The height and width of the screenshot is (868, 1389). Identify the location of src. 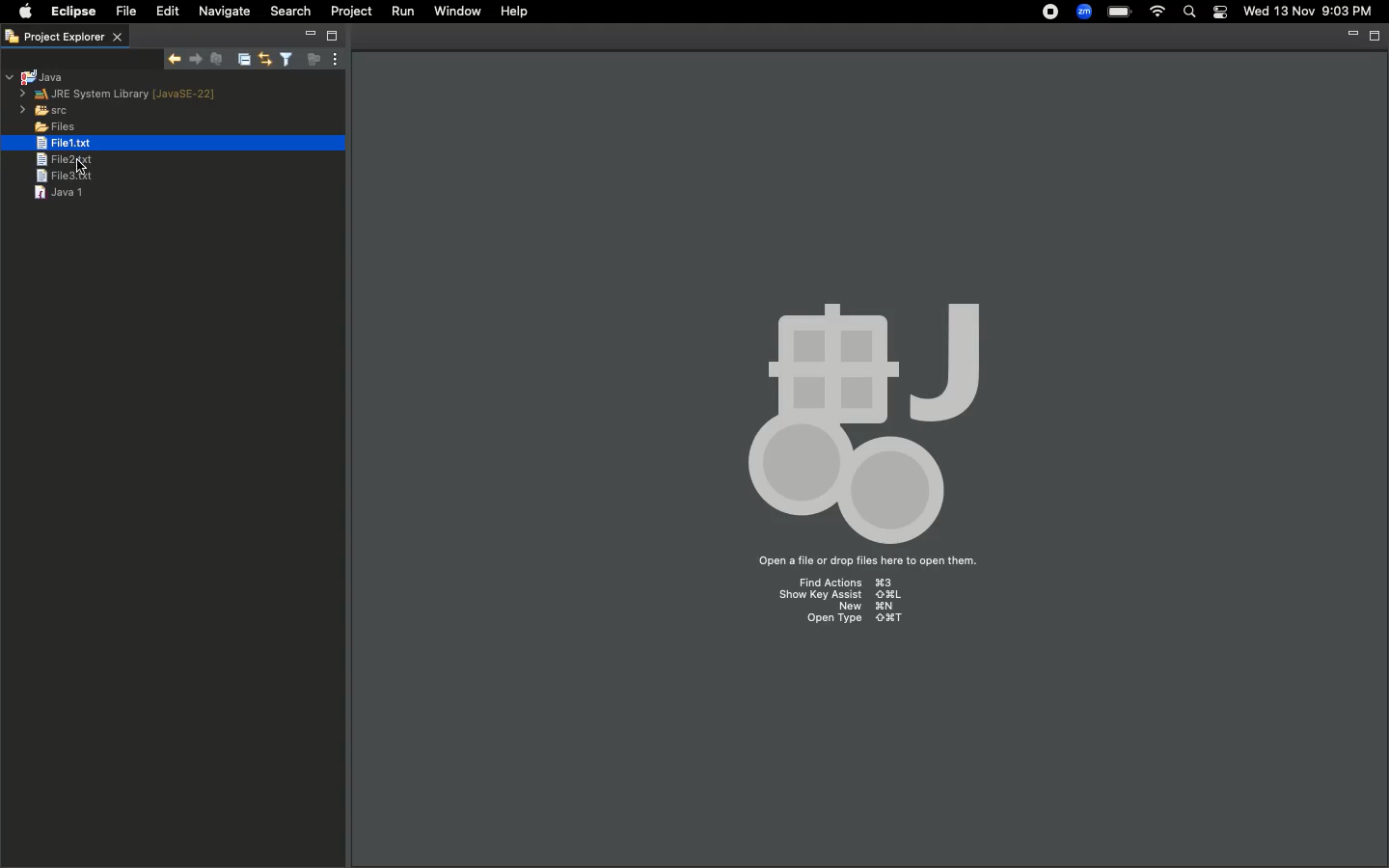
(44, 110).